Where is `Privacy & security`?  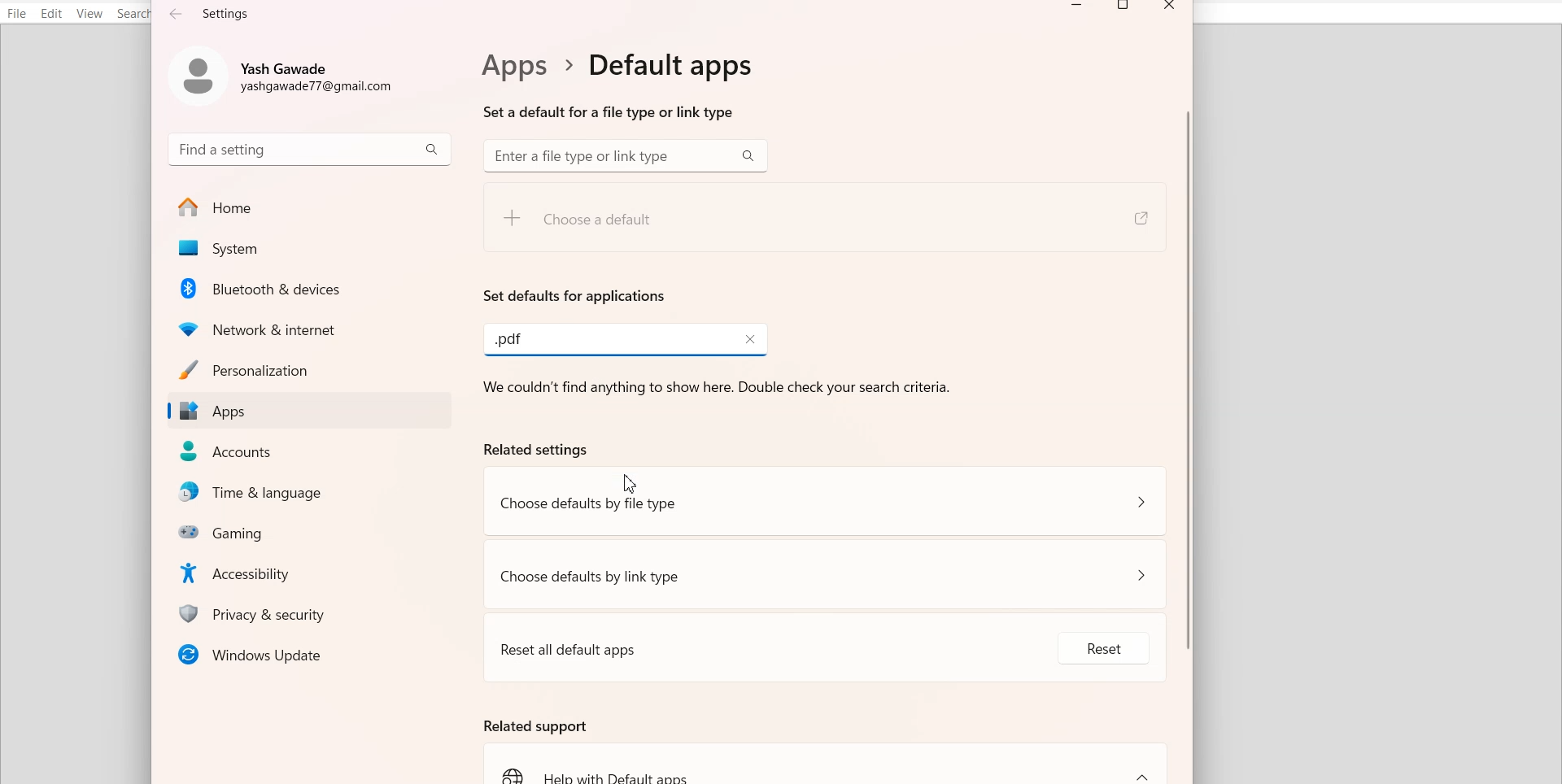
Privacy & security is located at coordinates (314, 613).